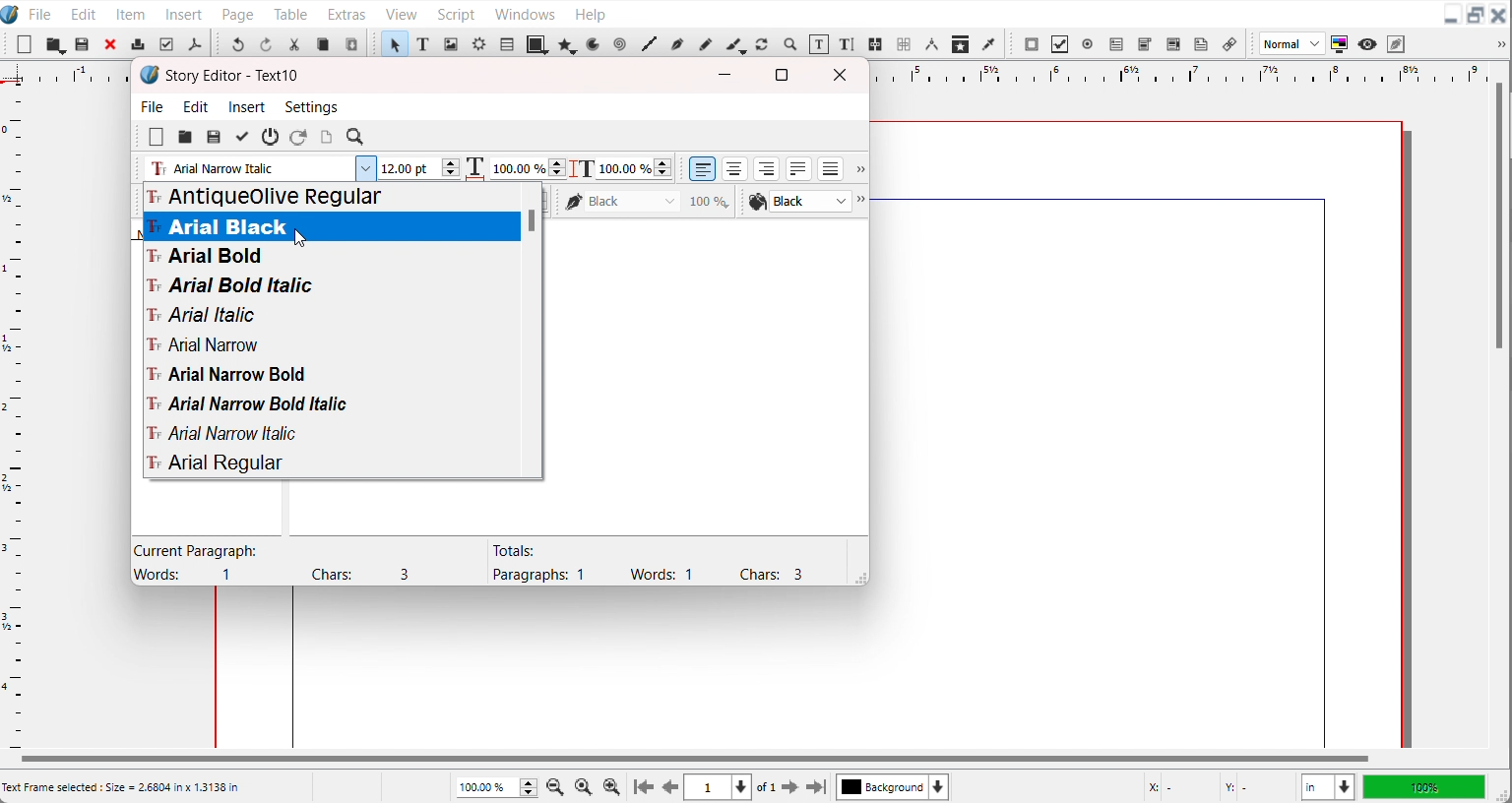 Image resolution: width=1512 pixels, height=803 pixels. What do you see at coordinates (1498, 44) in the screenshot?
I see `Drop down box` at bounding box center [1498, 44].